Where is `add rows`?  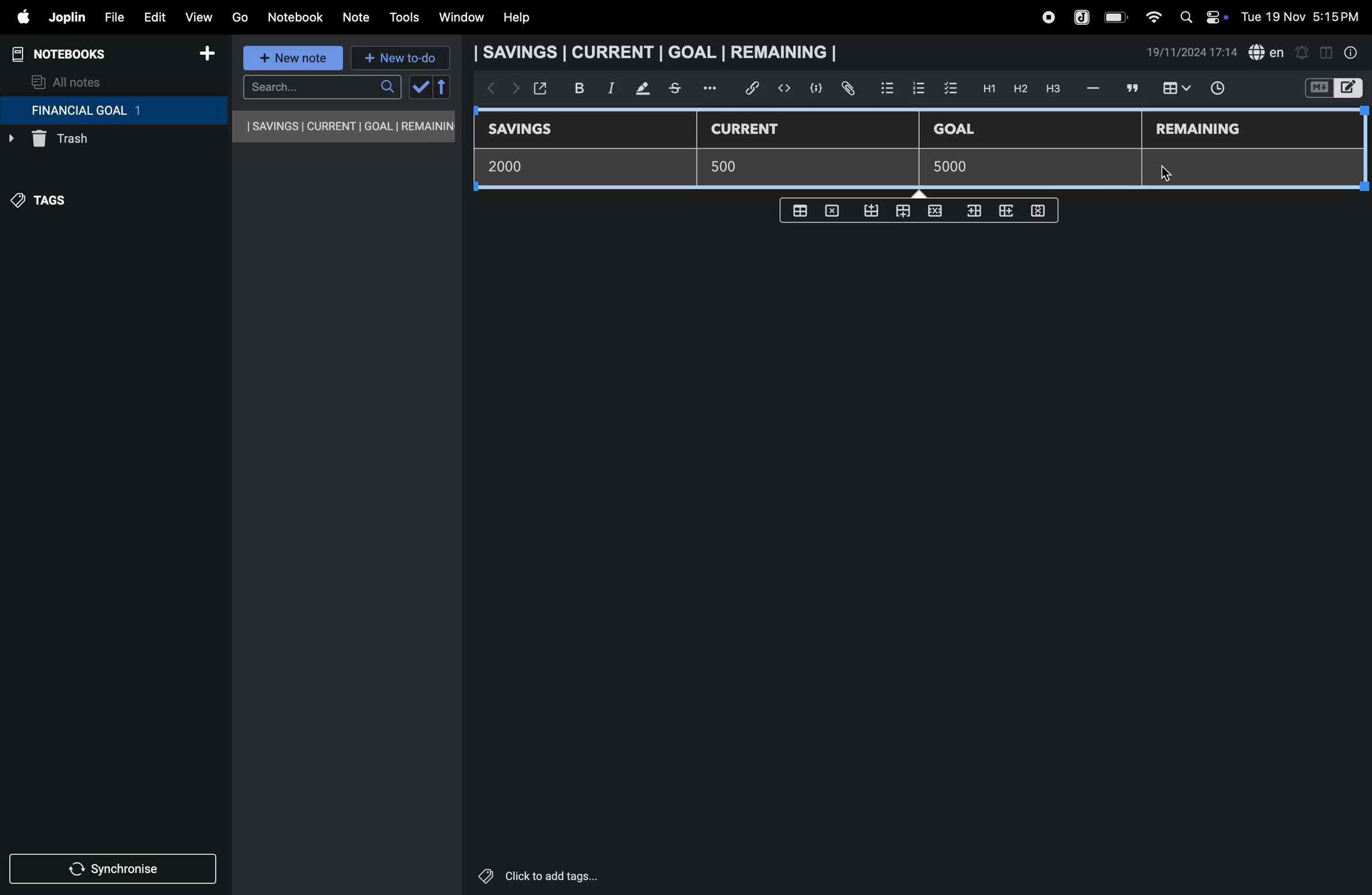
add rows is located at coordinates (1008, 216).